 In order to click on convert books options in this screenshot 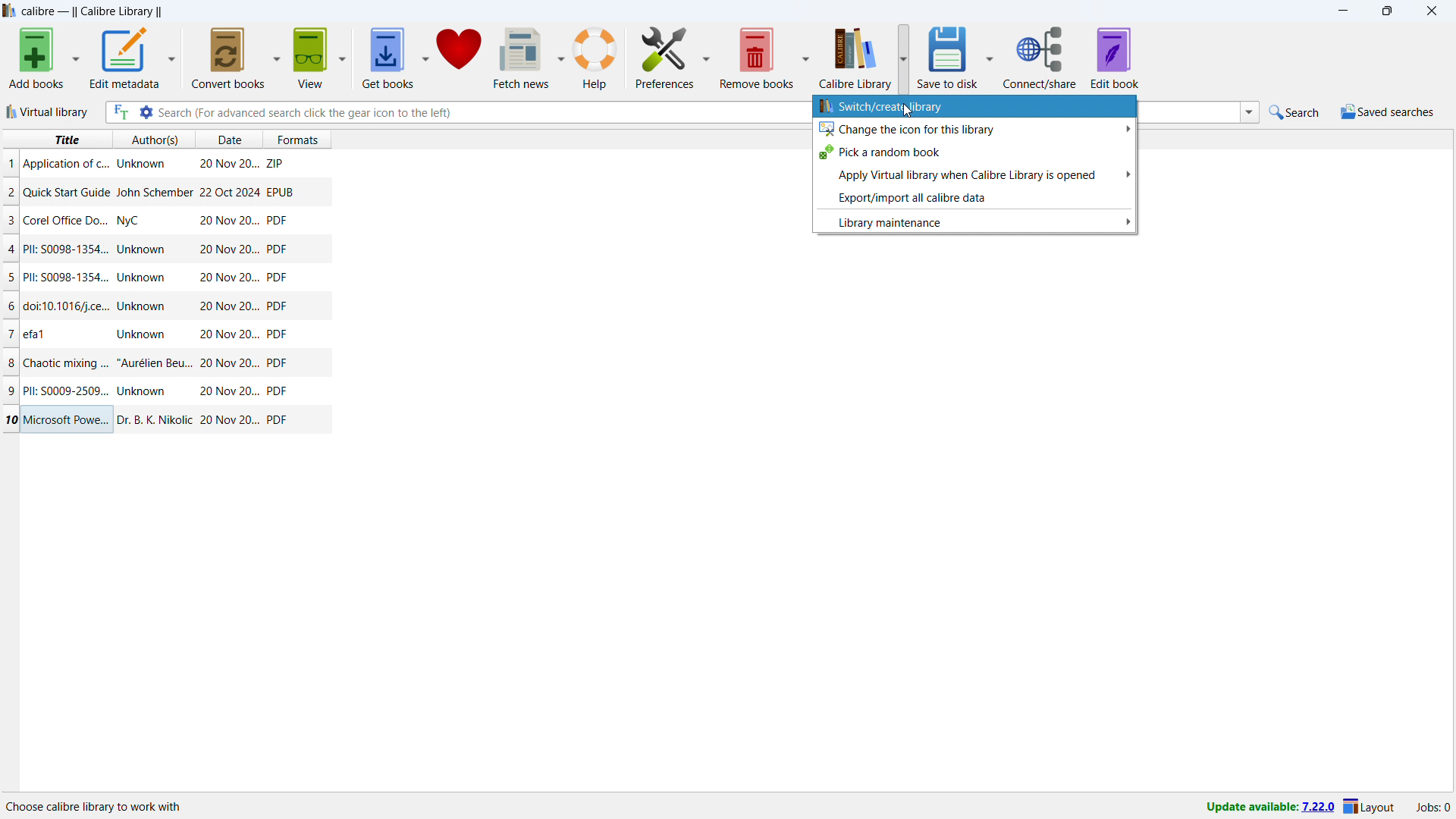, I will do `click(278, 56)`.